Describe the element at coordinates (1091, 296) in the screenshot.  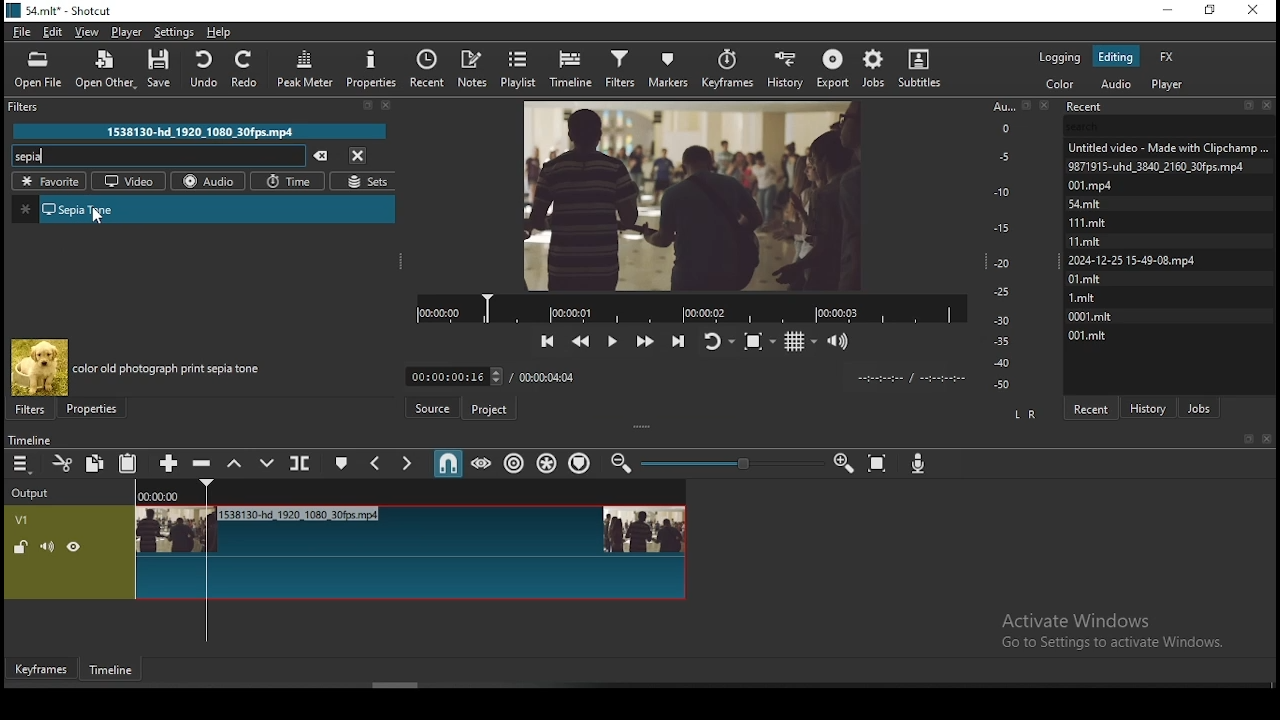
I see `1mit` at that location.